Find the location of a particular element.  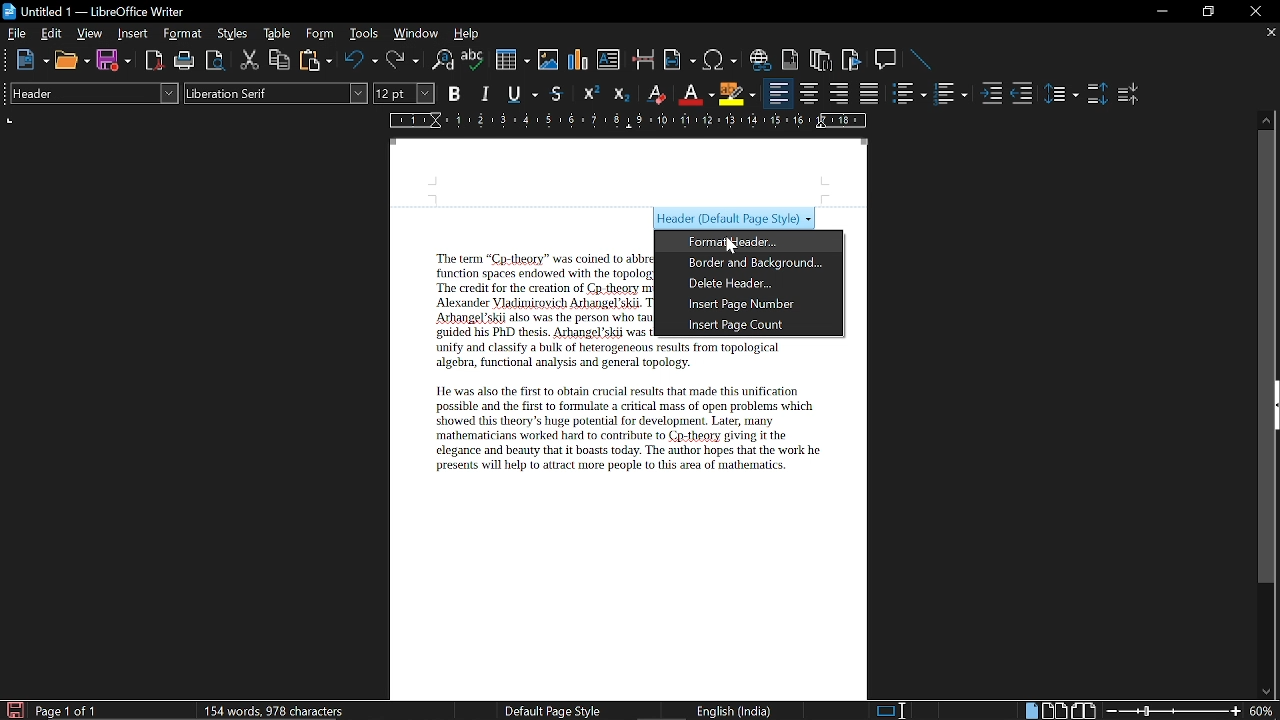

Insert page break is located at coordinates (642, 60).